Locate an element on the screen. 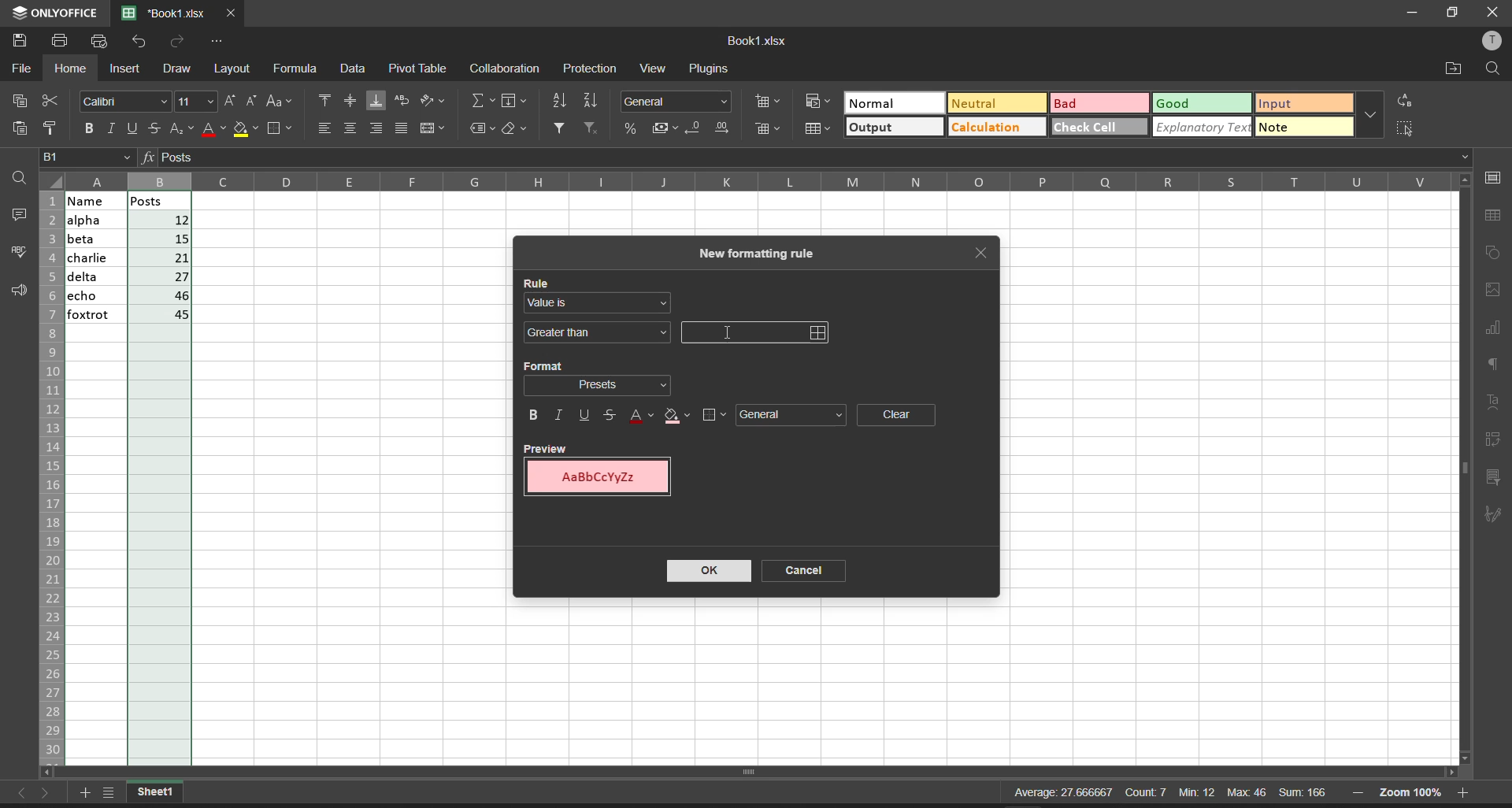 The width and height of the screenshot is (1512, 808). paste is located at coordinates (20, 129).